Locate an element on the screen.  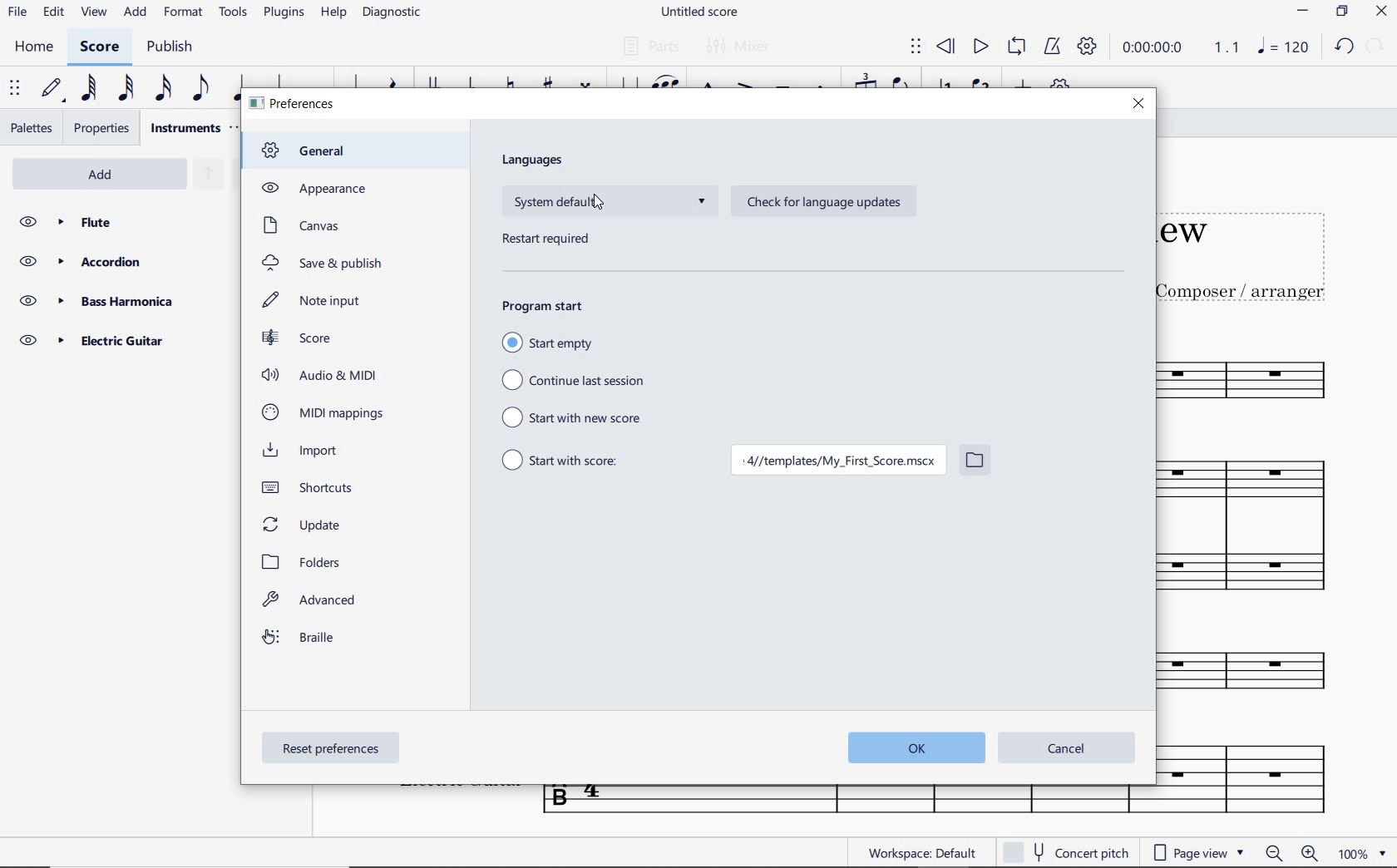
cursor is located at coordinates (600, 201).